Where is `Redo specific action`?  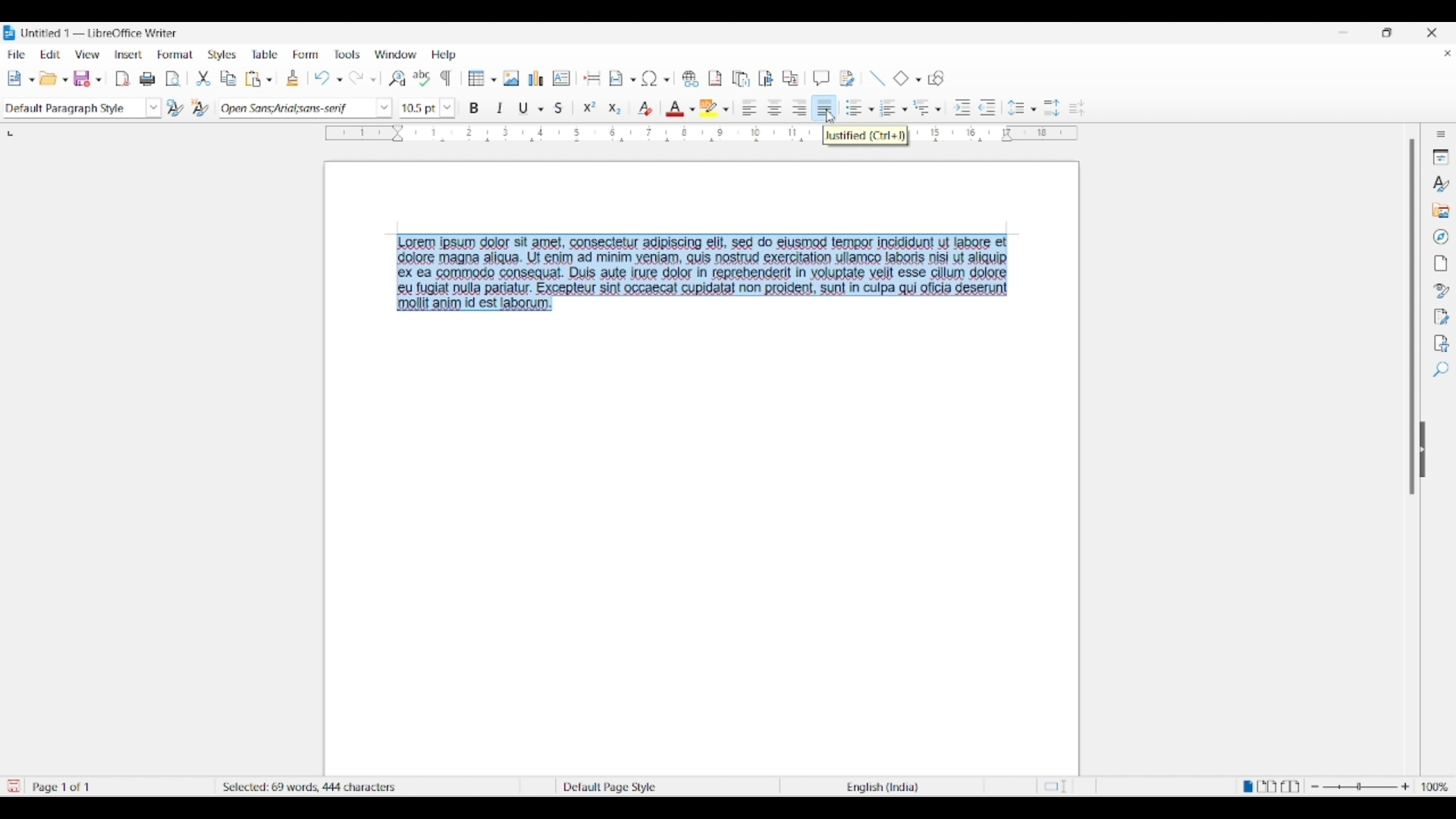
Redo specific action is located at coordinates (373, 80).